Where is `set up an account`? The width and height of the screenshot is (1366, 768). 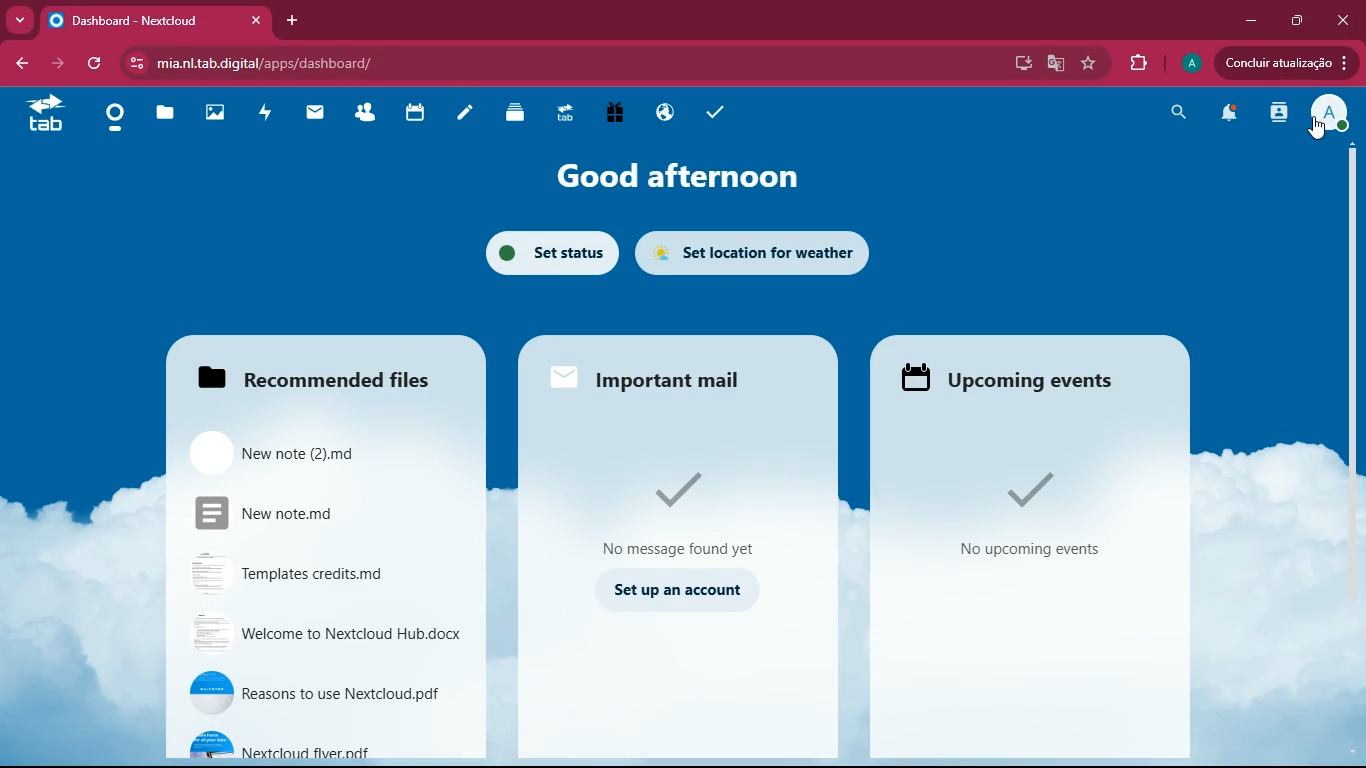 set up an account is located at coordinates (681, 589).